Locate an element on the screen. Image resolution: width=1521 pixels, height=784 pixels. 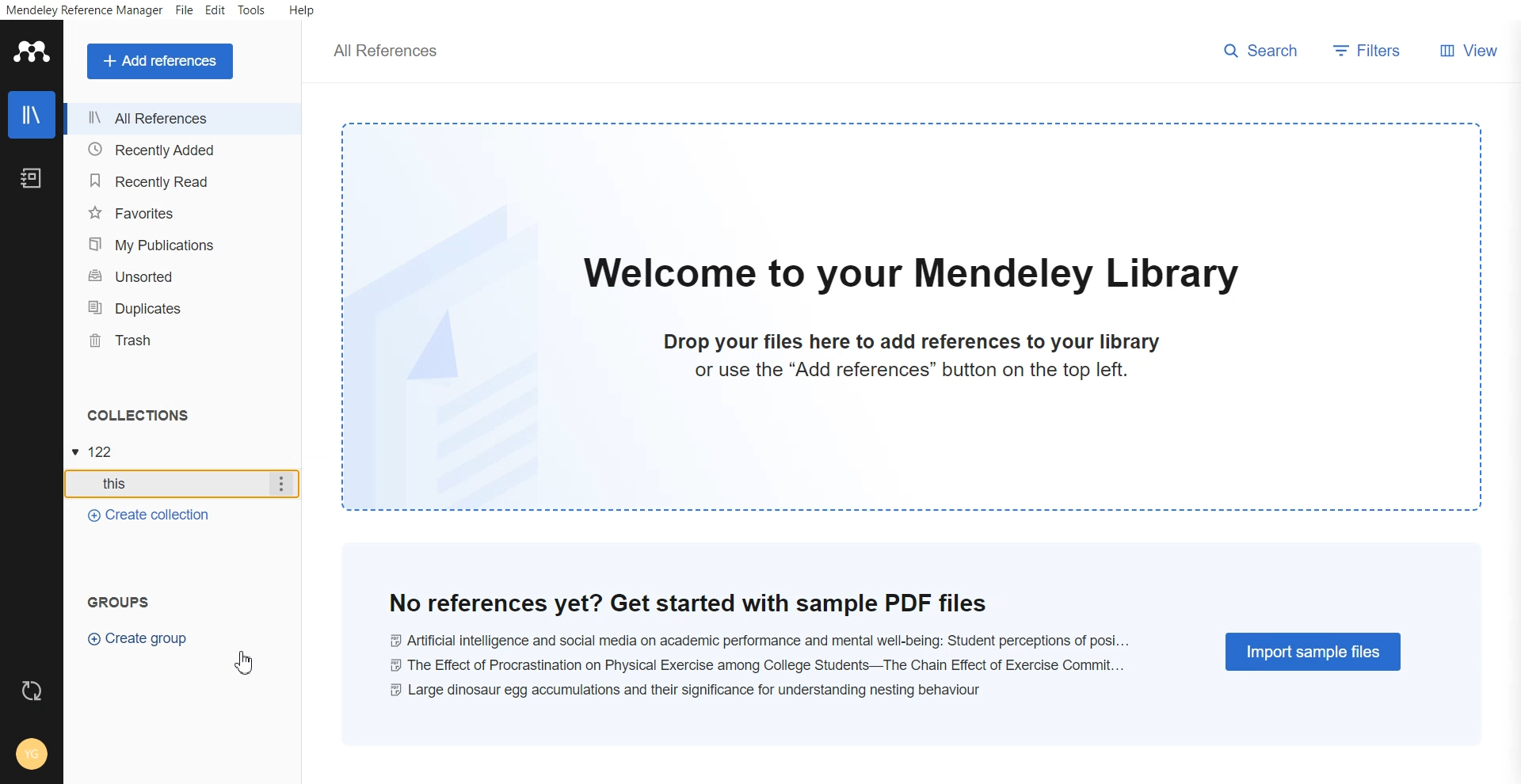
the effect of procrastination on physical exercise among college students-- the chain effect of excercise commit... is located at coordinates (760, 663).